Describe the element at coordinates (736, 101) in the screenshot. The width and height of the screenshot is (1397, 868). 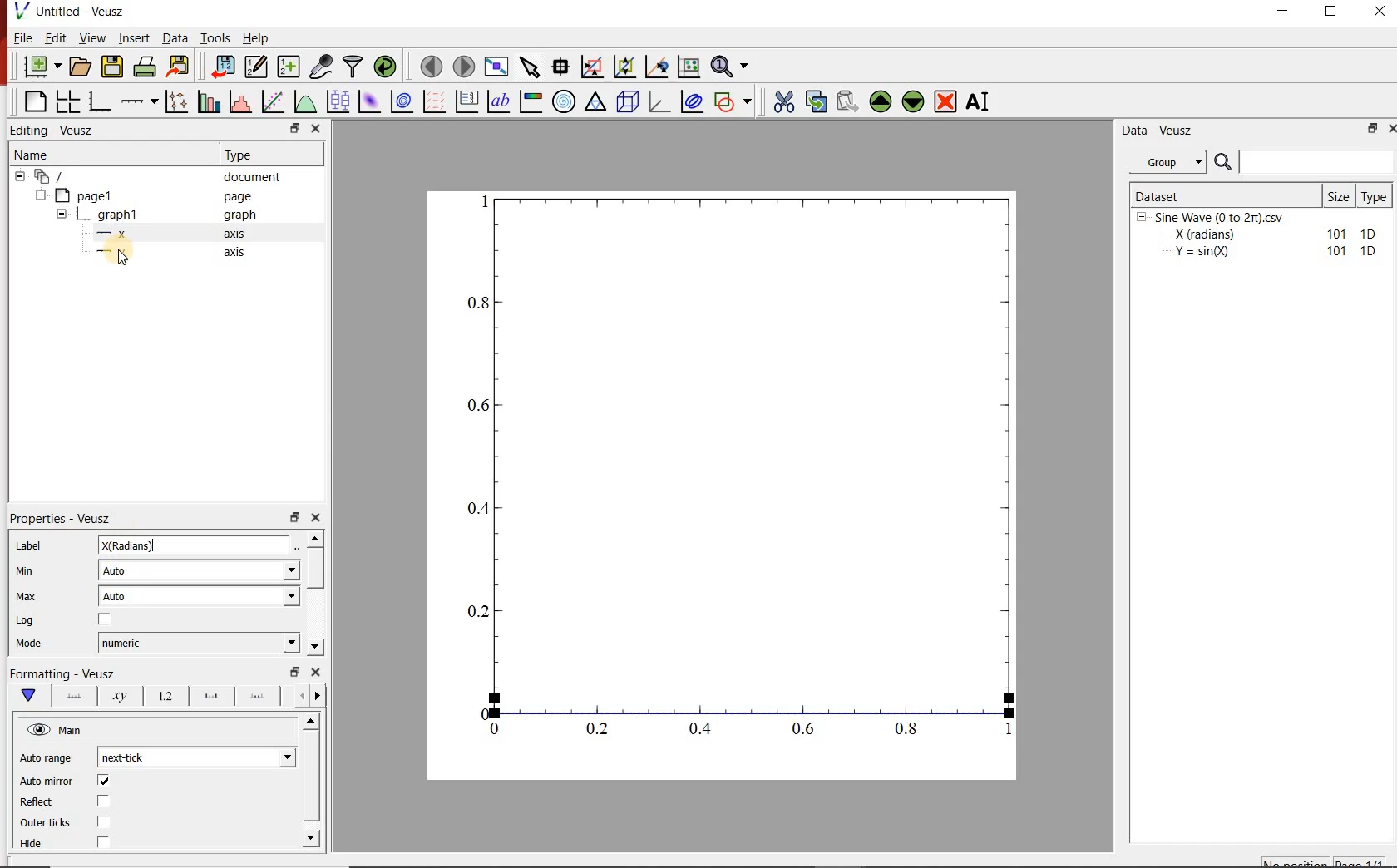
I see `add a shape to the plot` at that location.